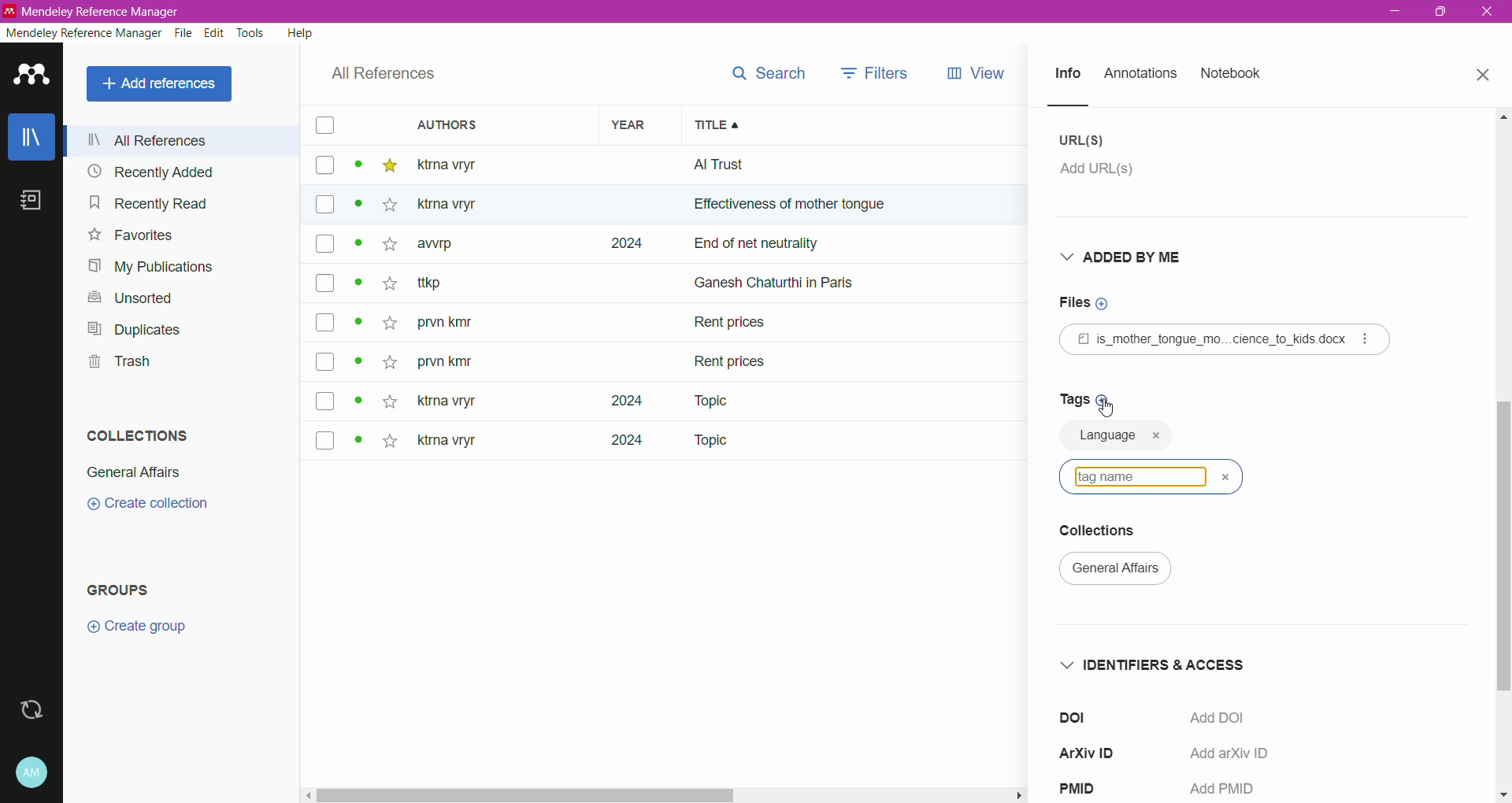 Image resolution: width=1512 pixels, height=803 pixels. I want to click on box, so click(330, 401).